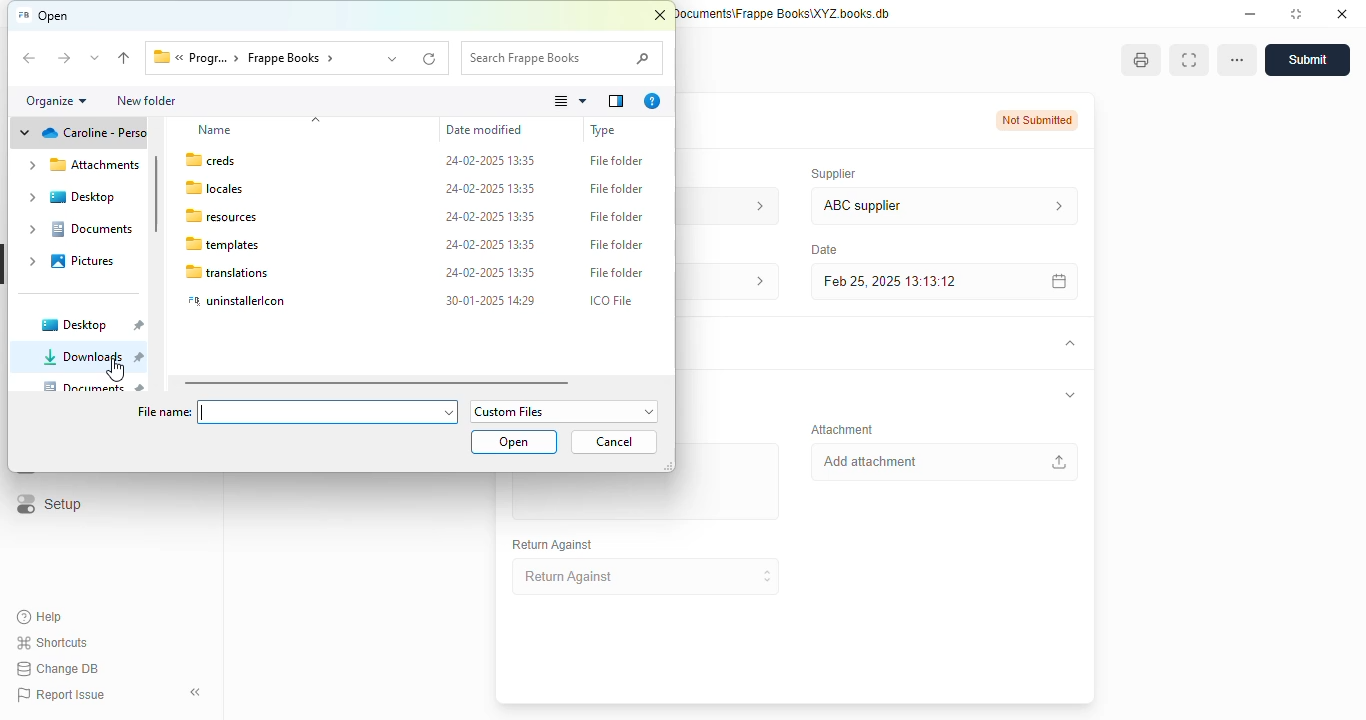  Describe the element at coordinates (82, 165) in the screenshot. I see `attachments` at that location.